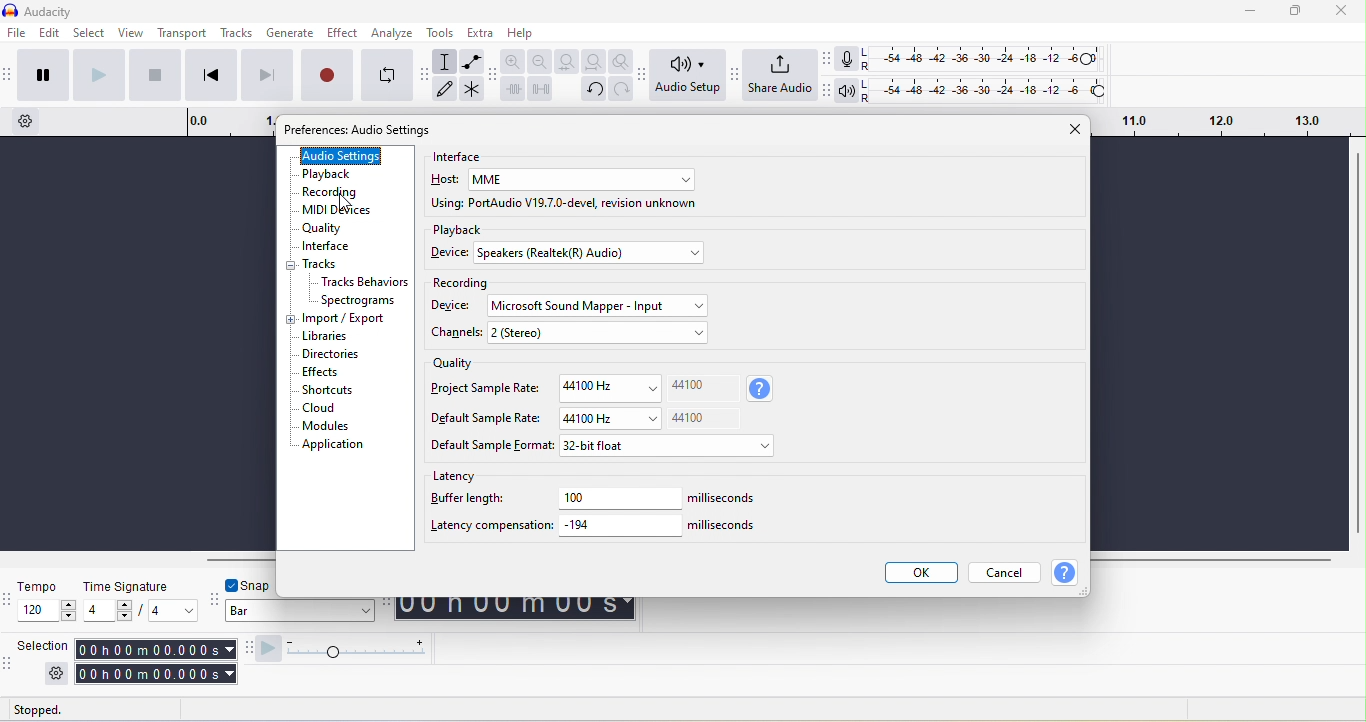  I want to click on buffer length, so click(468, 499).